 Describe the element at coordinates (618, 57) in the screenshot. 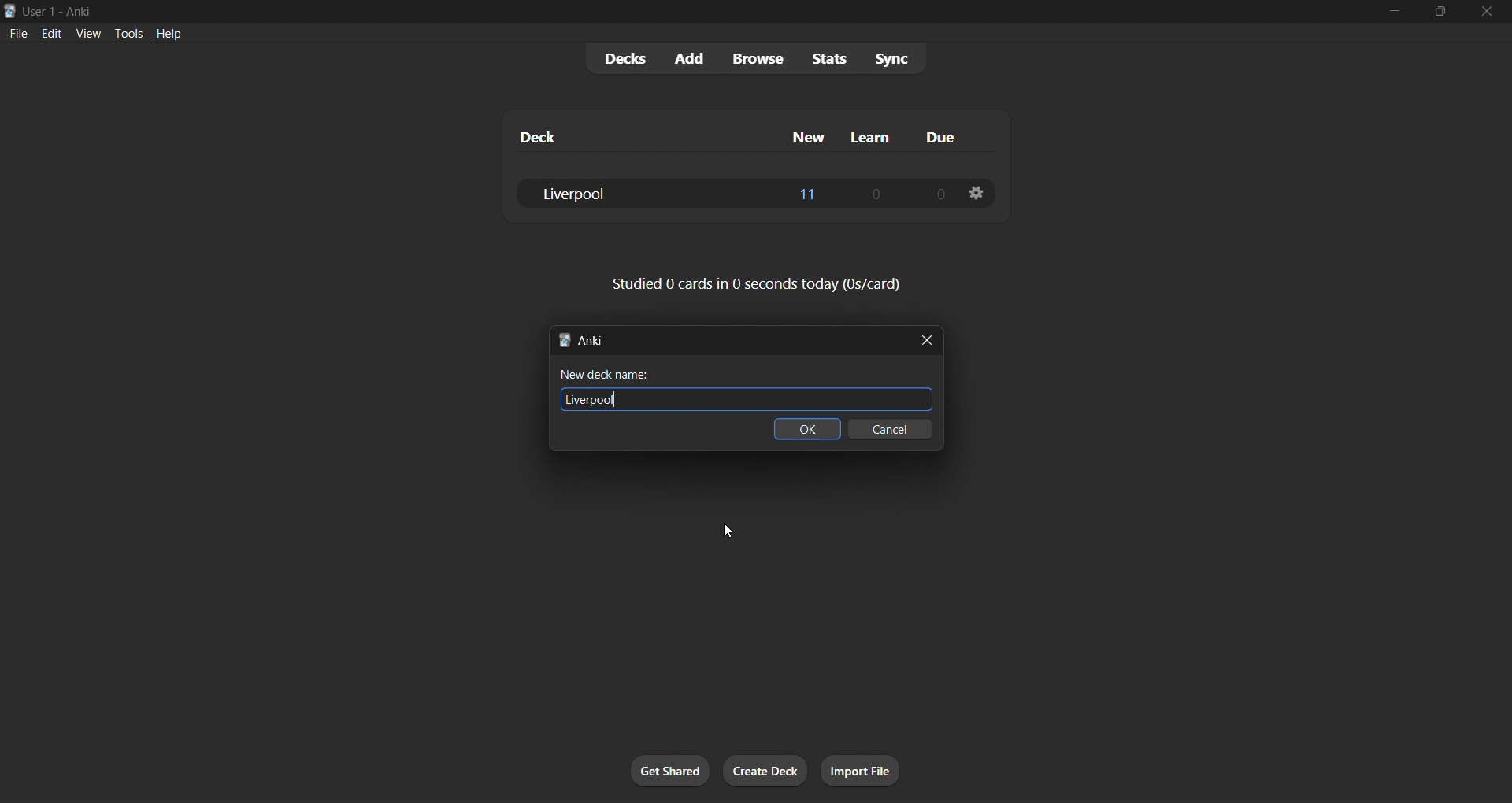

I see `decks` at that location.